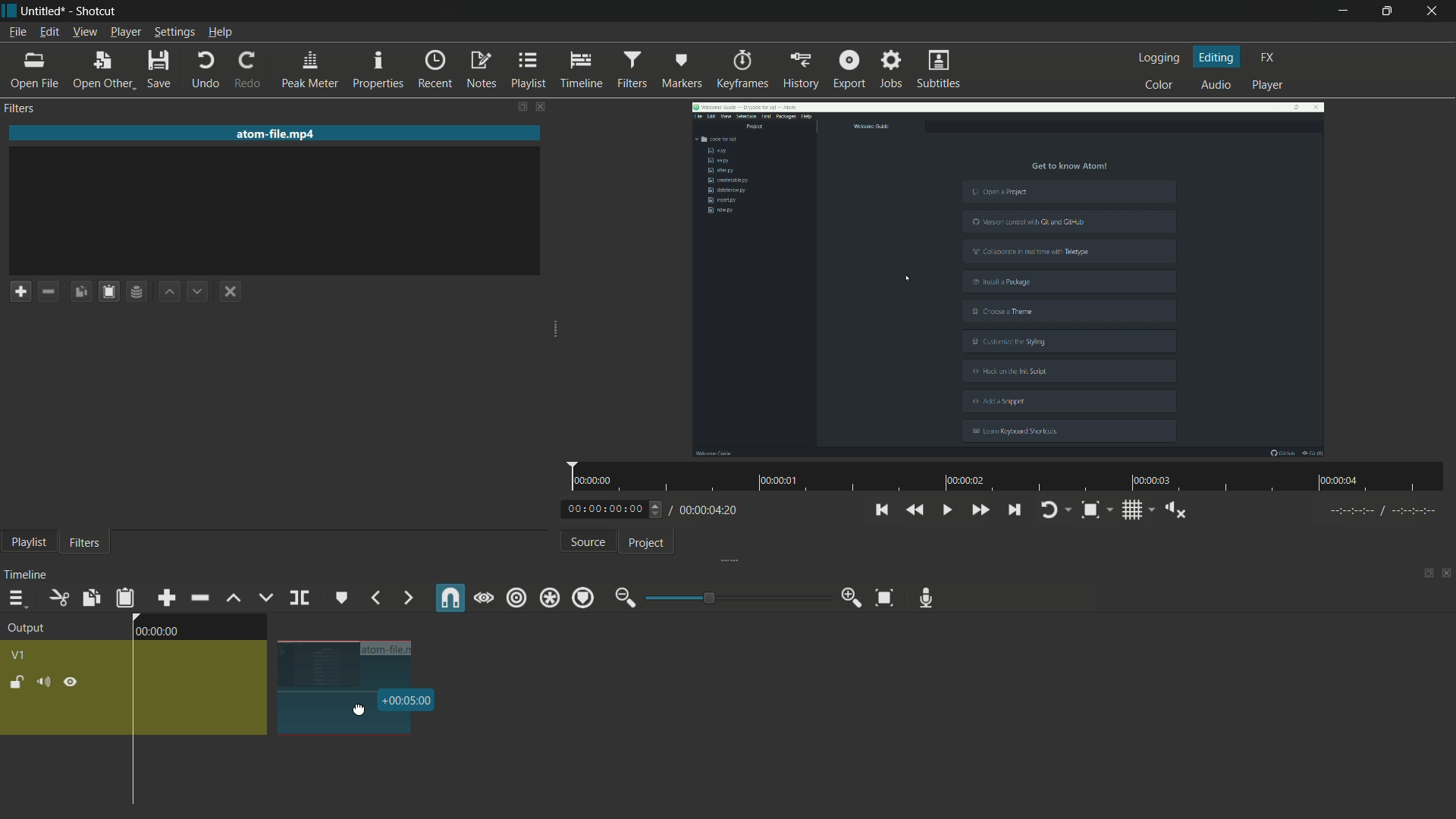  Describe the element at coordinates (20, 290) in the screenshot. I see `add a filter` at that location.